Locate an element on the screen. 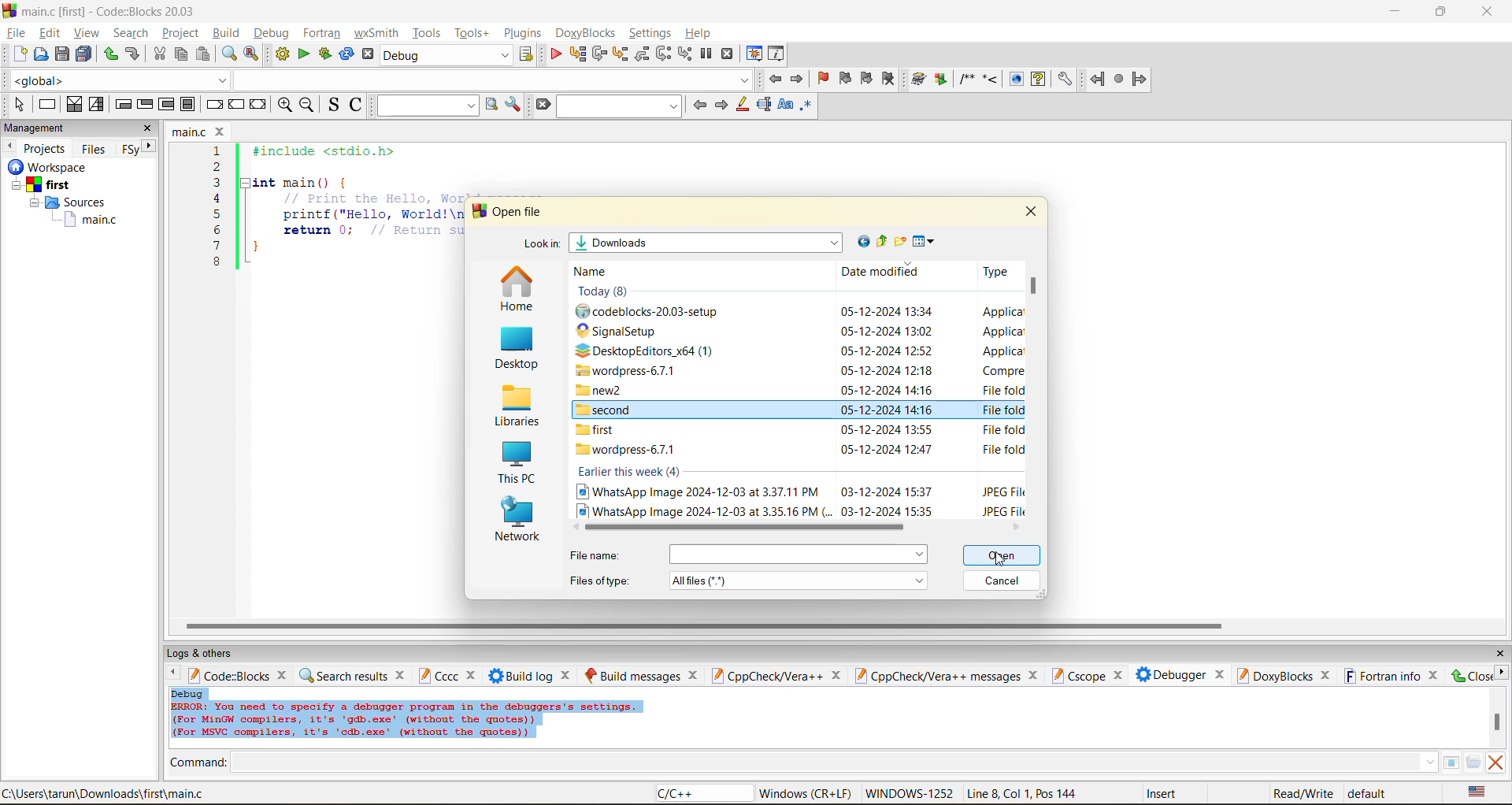 Image resolution: width=1512 pixels, height=805 pixels. debug/continue is located at coordinates (555, 54).